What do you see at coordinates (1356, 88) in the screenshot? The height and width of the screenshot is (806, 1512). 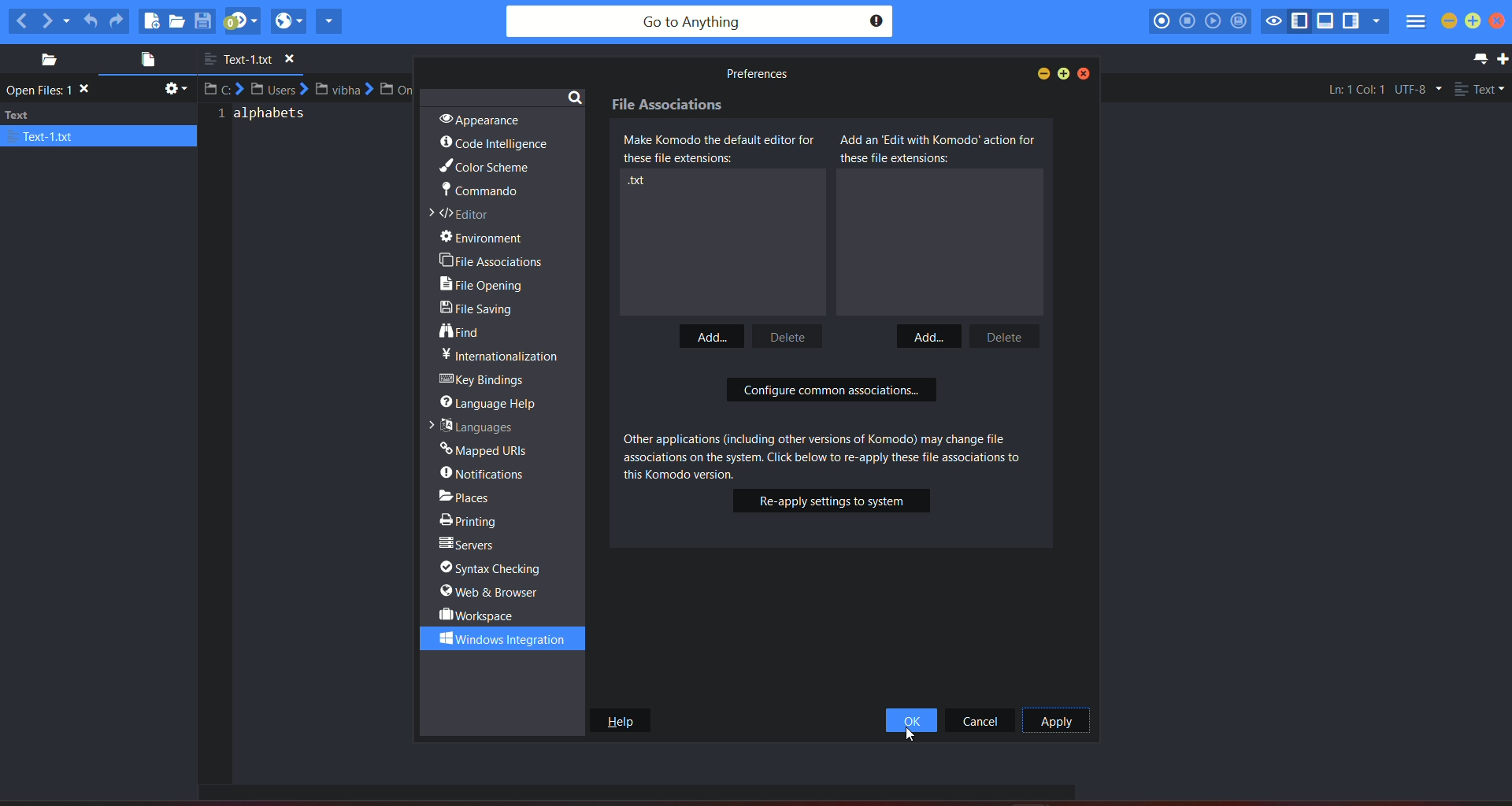 I see `Ln:1 Col:1` at bounding box center [1356, 88].